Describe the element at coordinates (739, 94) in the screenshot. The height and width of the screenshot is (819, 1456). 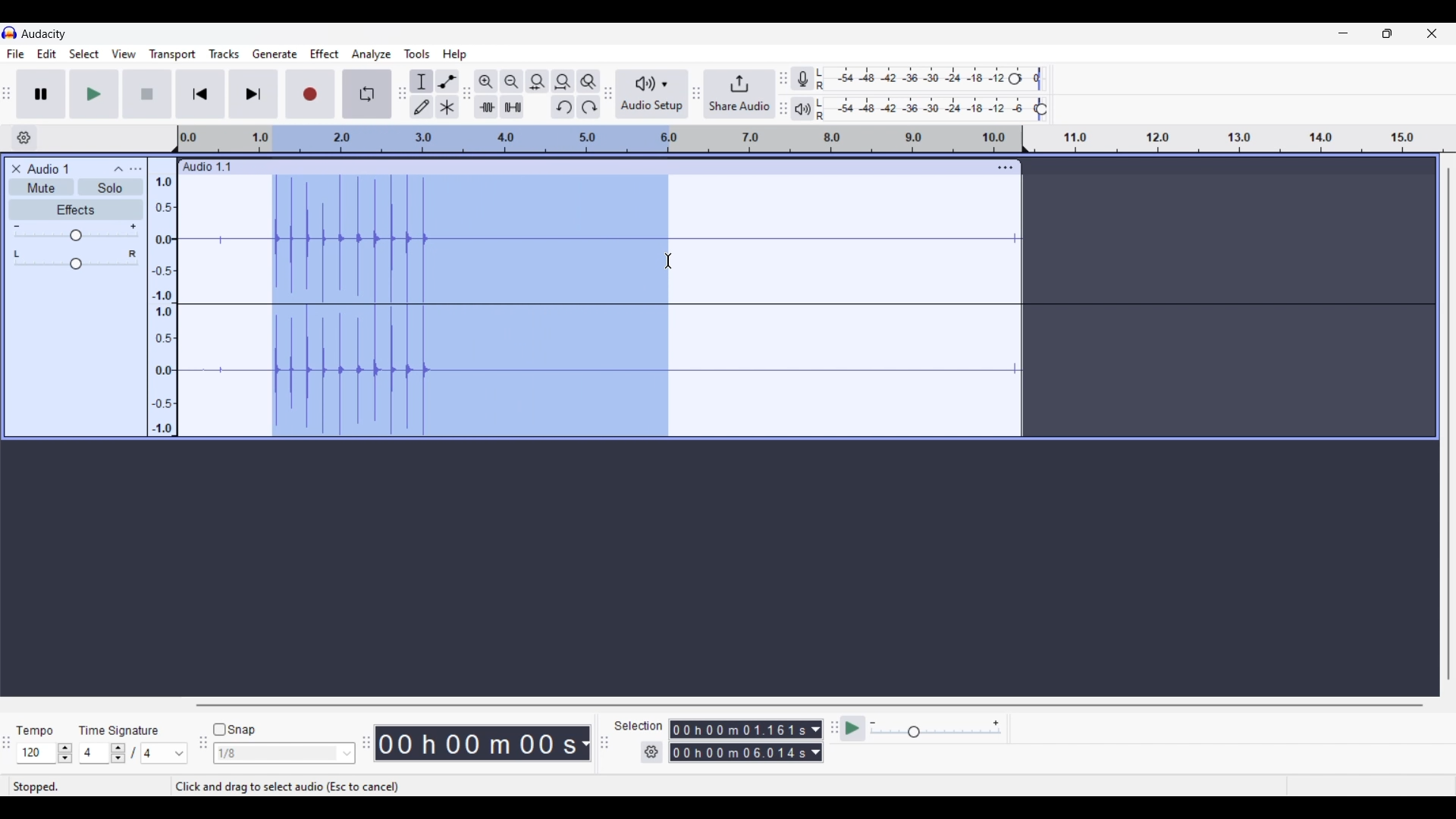
I see `Share audio` at that location.